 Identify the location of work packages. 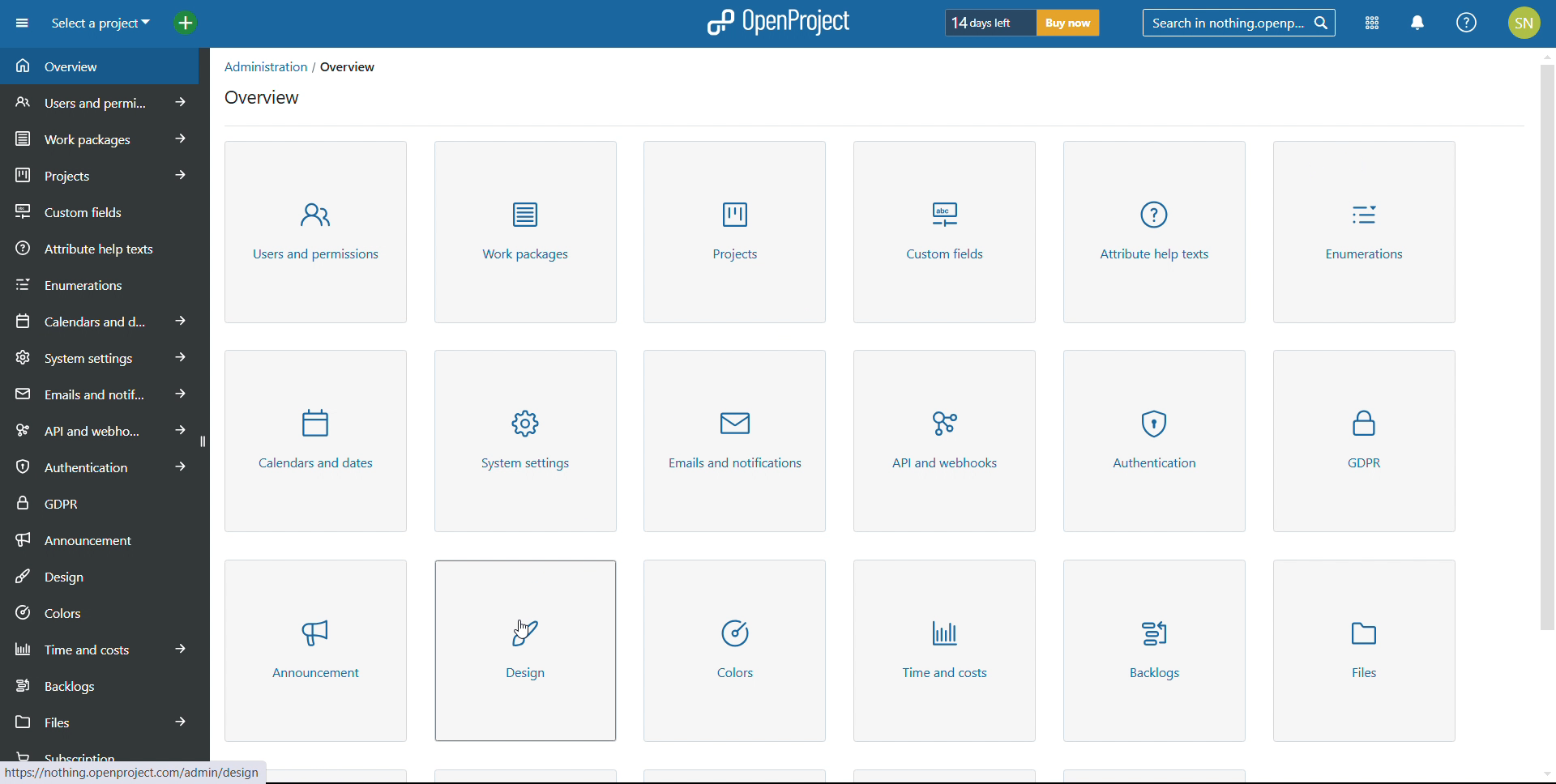
(105, 136).